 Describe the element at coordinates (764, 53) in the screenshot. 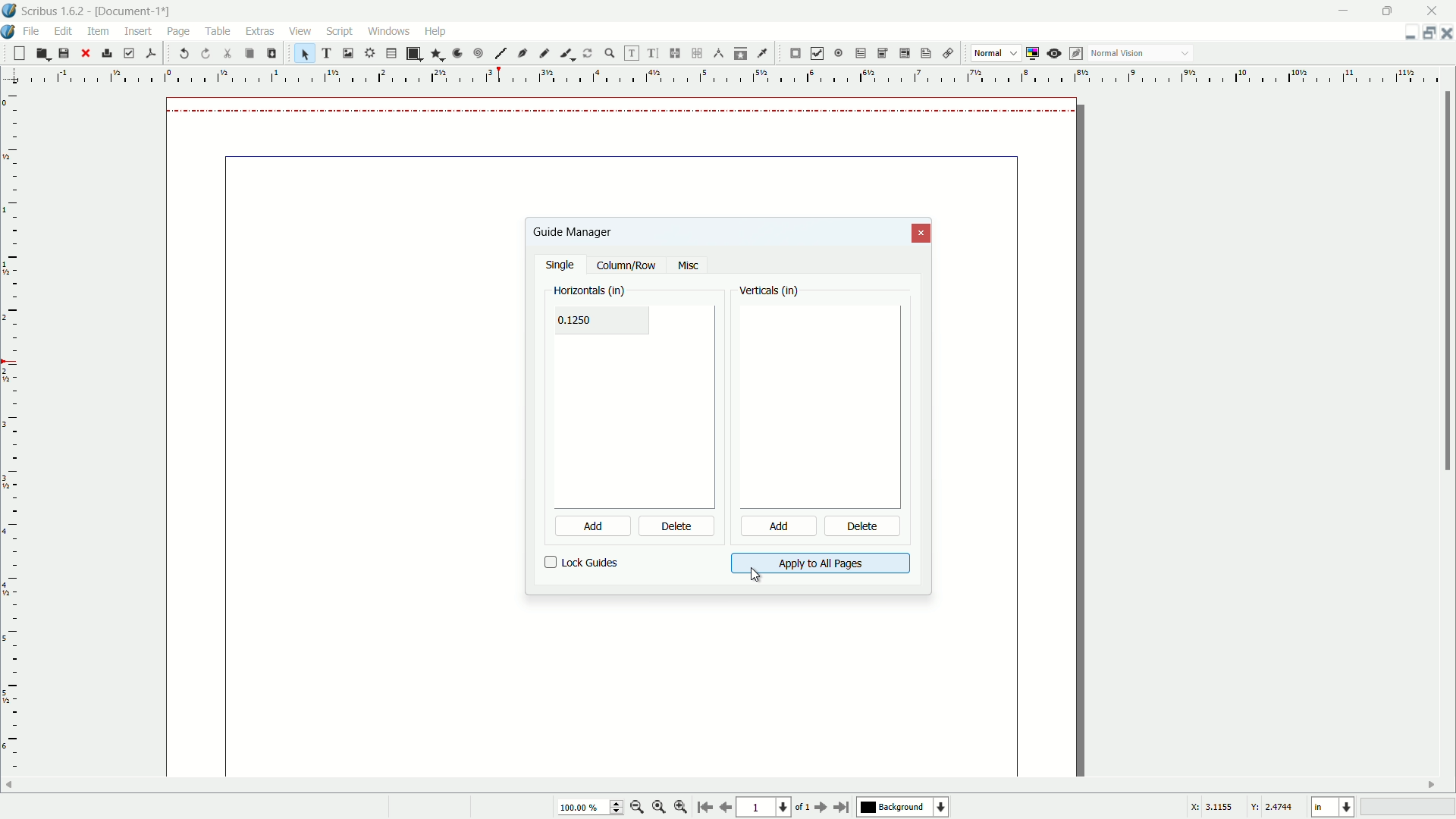

I see `eye dropper` at that location.